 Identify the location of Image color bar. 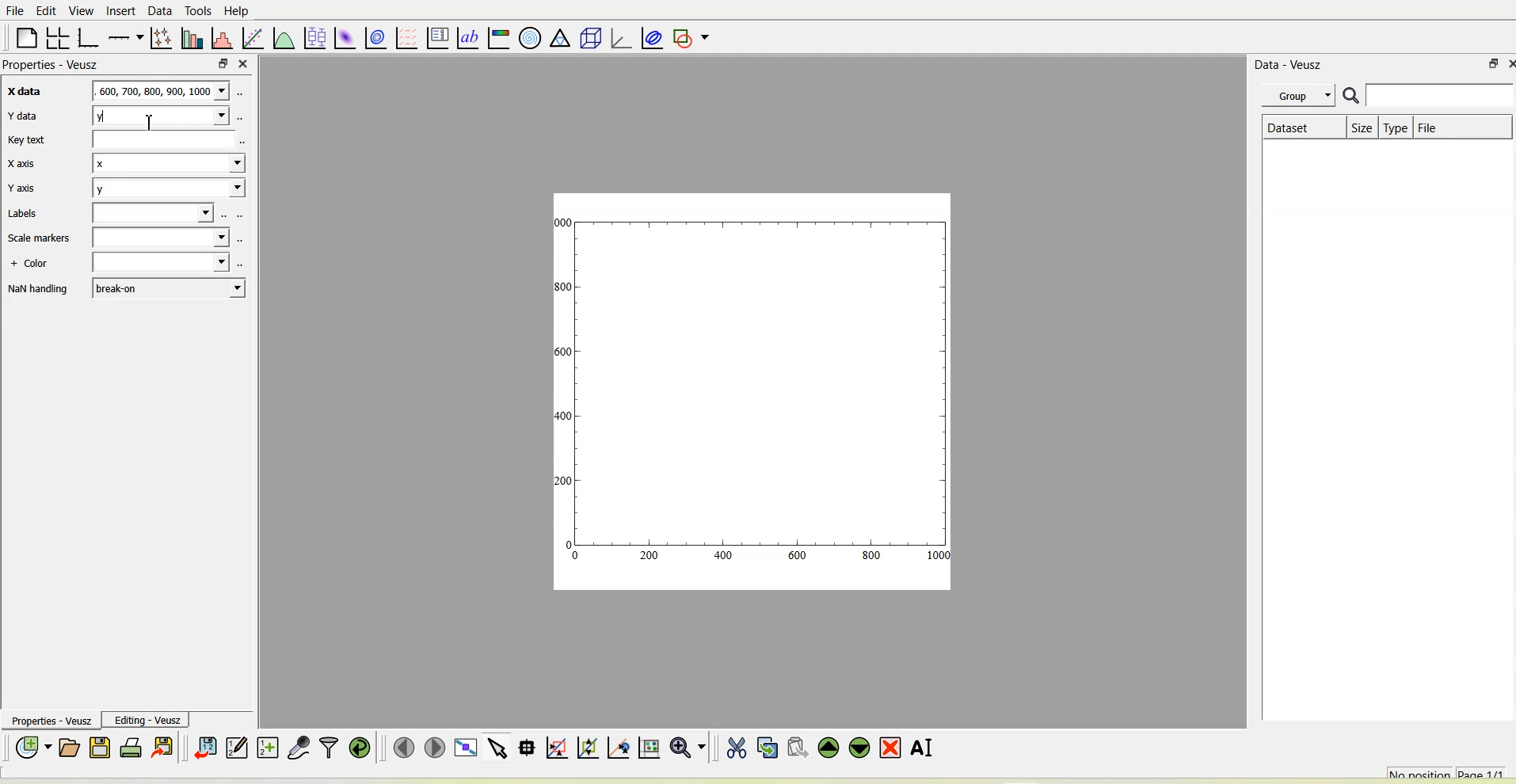
(498, 36).